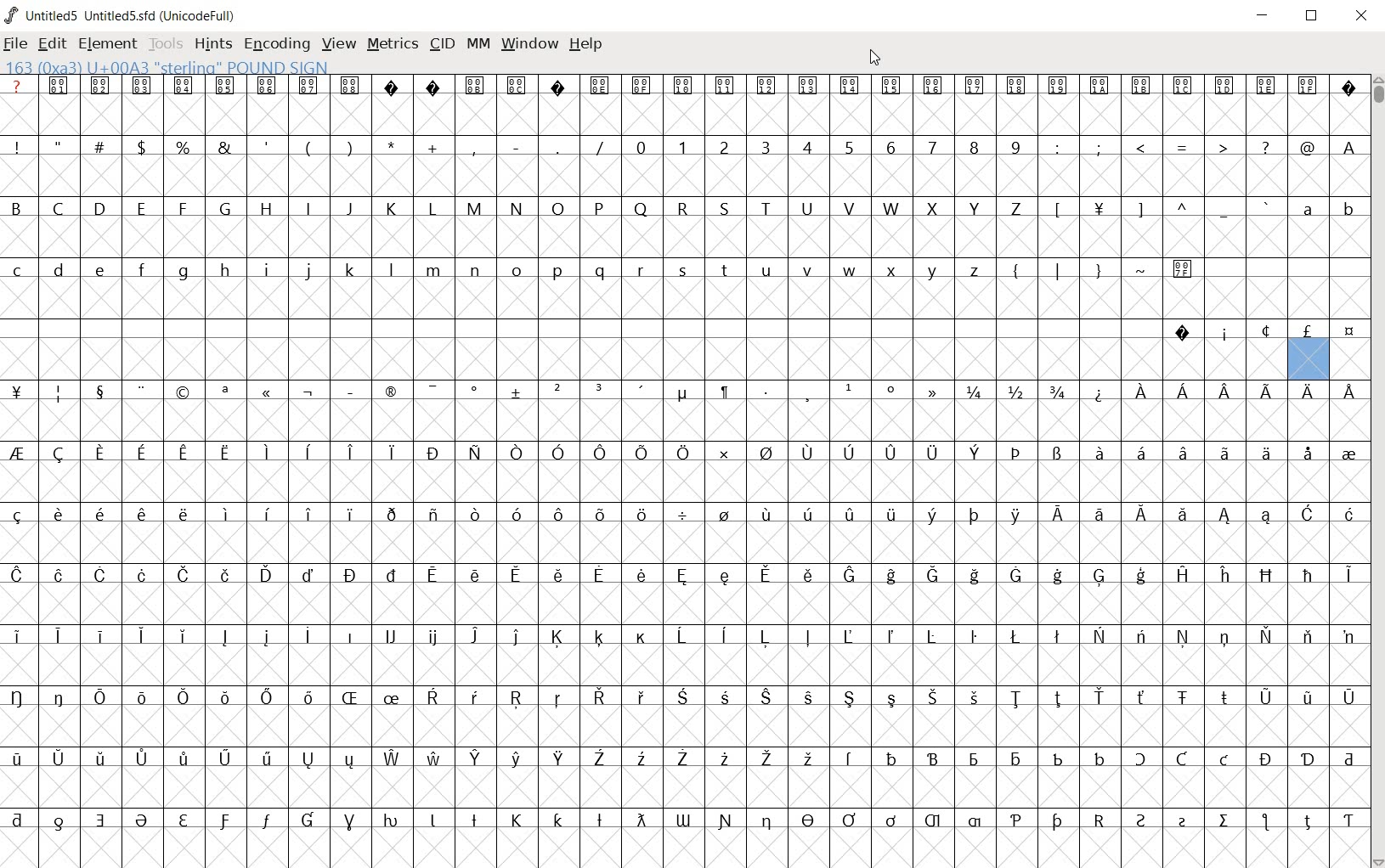  Describe the element at coordinates (597, 148) in the screenshot. I see `/` at that location.